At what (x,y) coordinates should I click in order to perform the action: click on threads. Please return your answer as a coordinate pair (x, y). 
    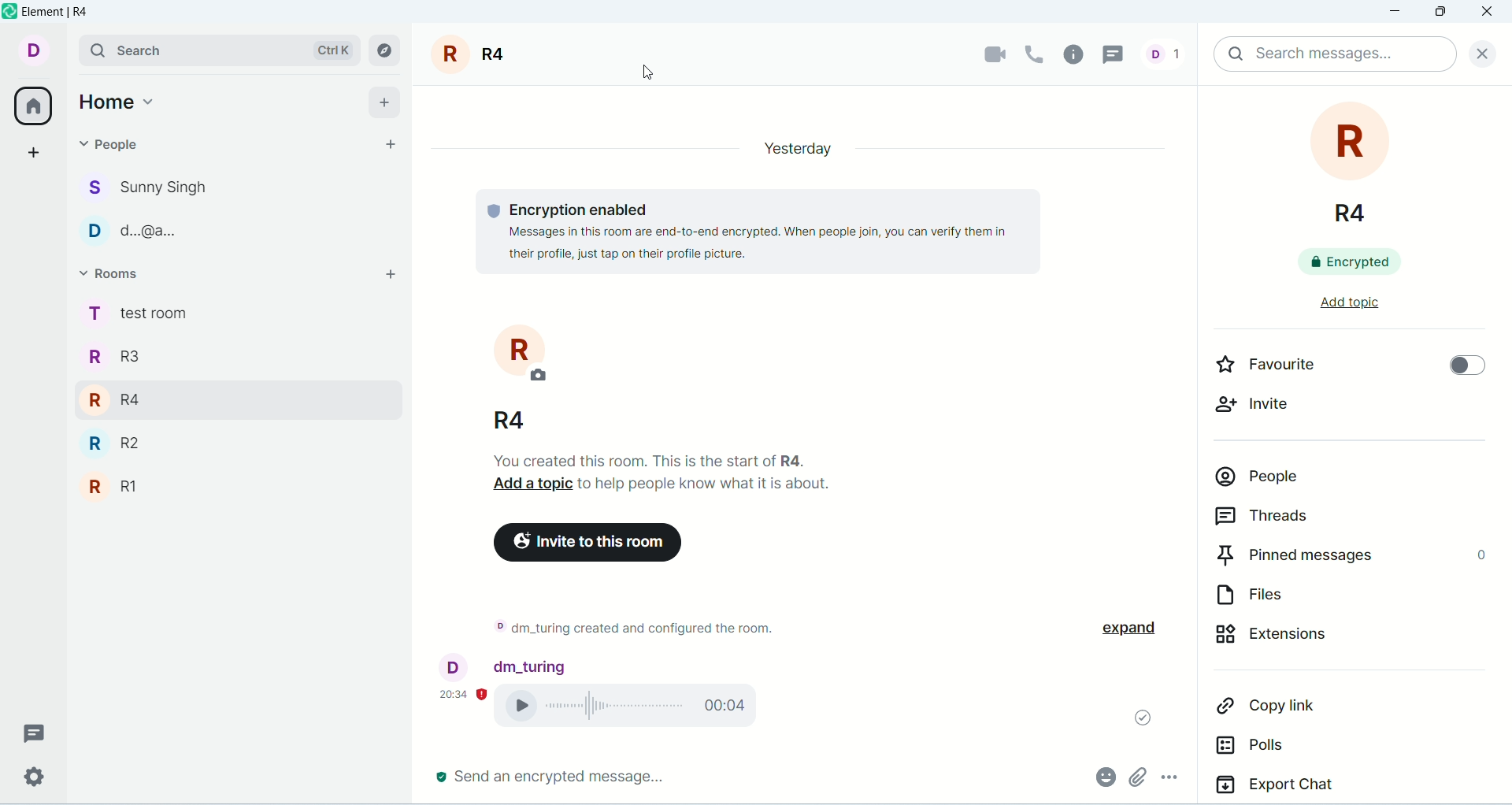
    Looking at the image, I should click on (1321, 519).